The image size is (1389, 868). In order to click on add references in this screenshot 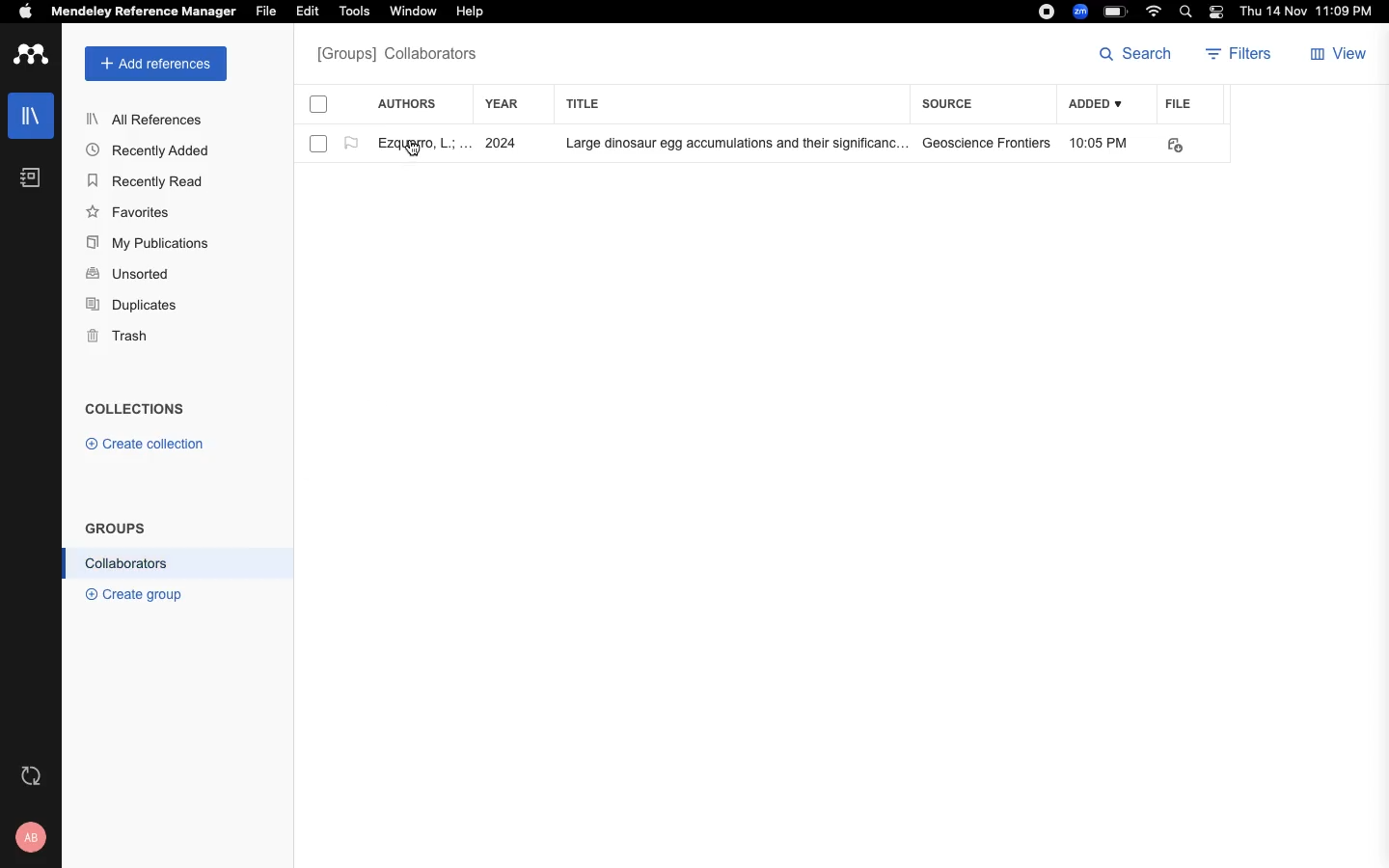, I will do `click(156, 64)`.